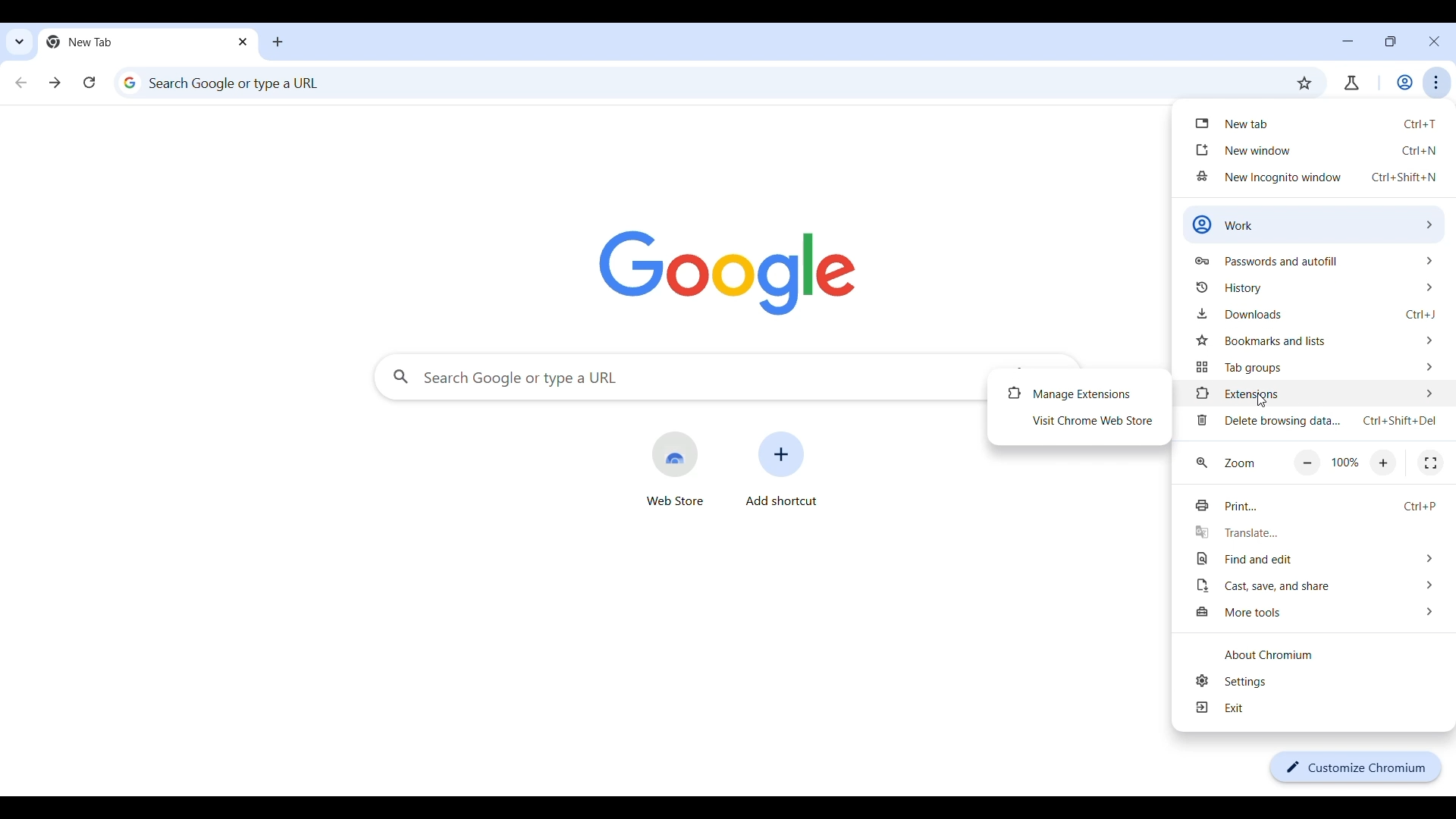 This screenshot has width=1456, height=819. What do you see at coordinates (1430, 463) in the screenshot?
I see `Fullscreen` at bounding box center [1430, 463].